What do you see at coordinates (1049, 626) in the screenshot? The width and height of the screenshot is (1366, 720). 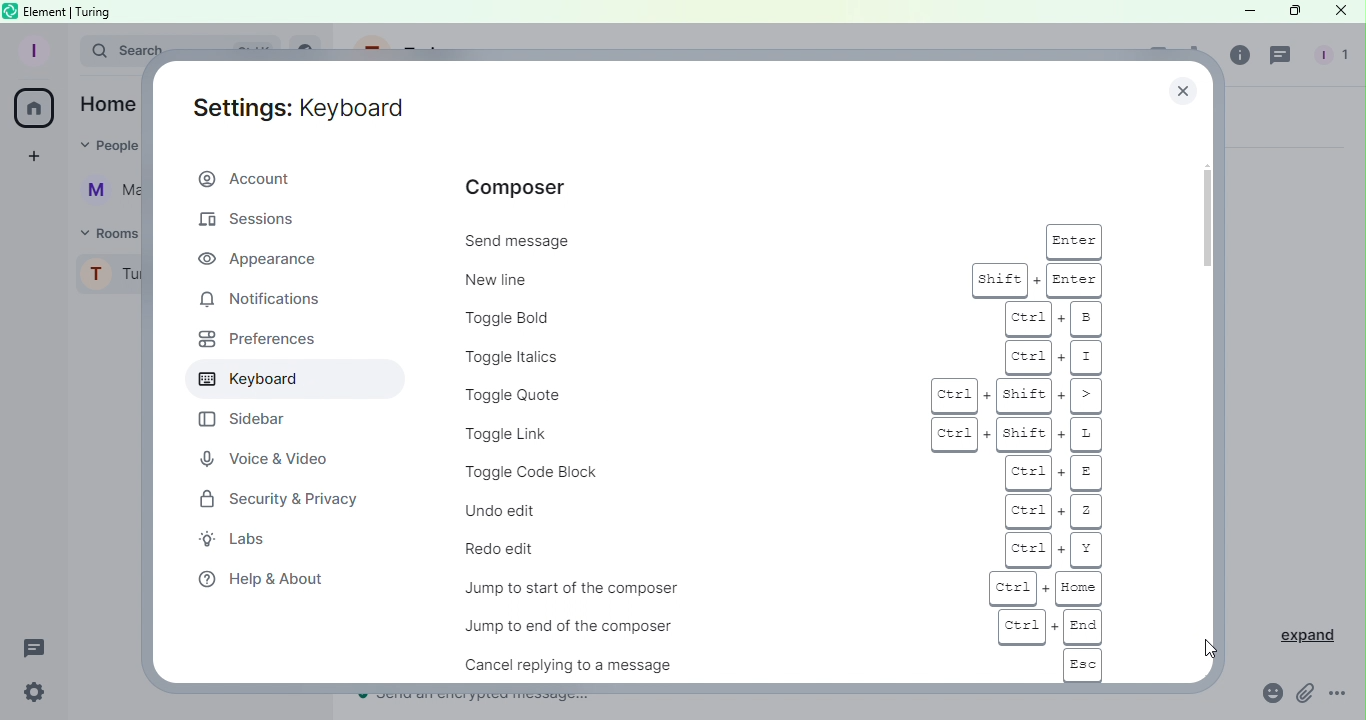 I see `ctrl + end` at bounding box center [1049, 626].